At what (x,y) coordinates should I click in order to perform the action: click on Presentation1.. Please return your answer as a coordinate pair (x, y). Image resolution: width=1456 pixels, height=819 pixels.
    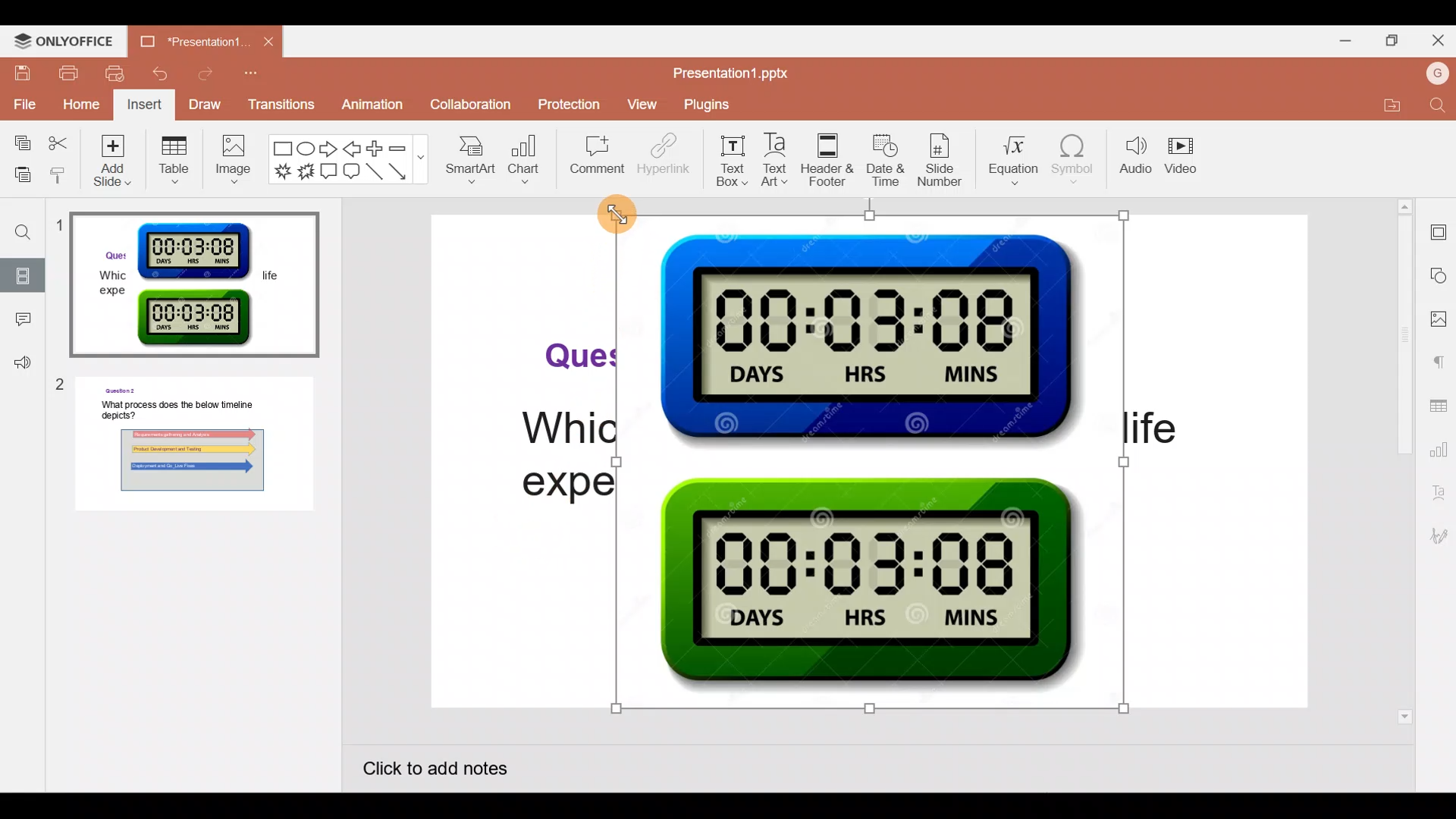
    Looking at the image, I should click on (195, 39).